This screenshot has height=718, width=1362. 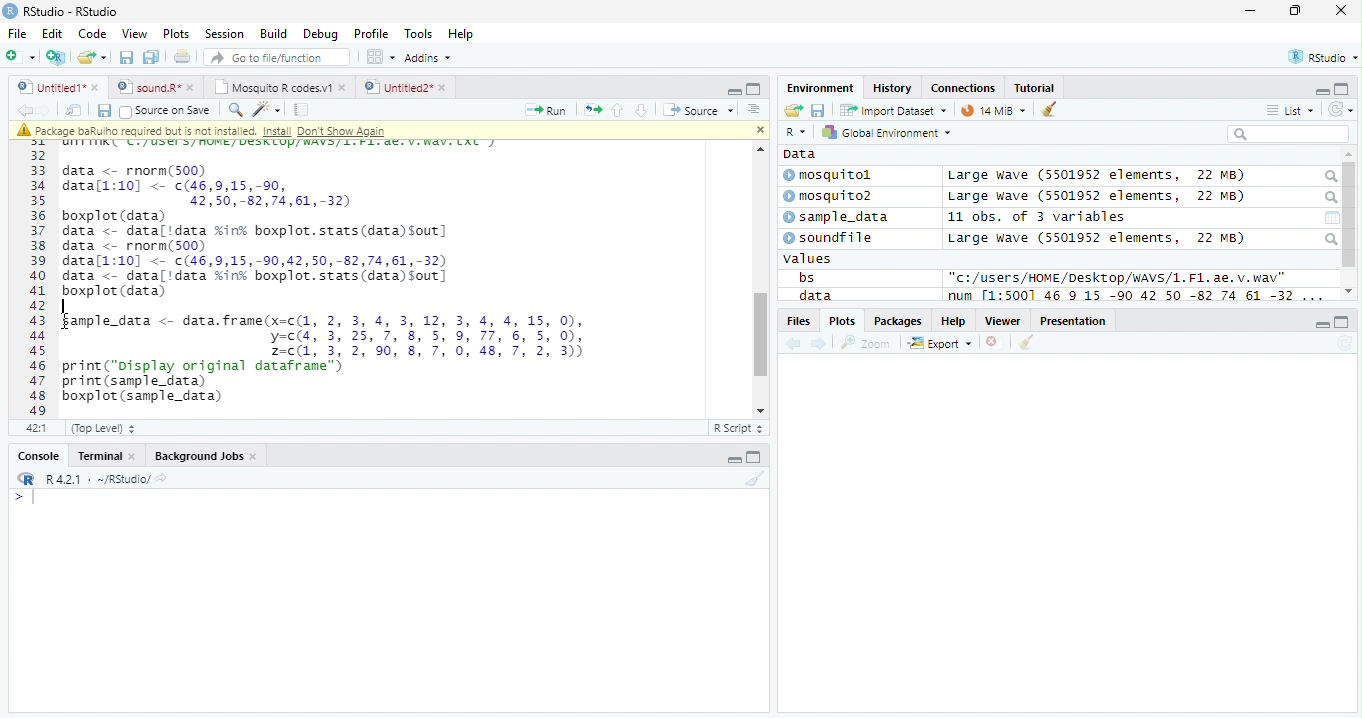 I want to click on 14 MiB, so click(x=993, y=110).